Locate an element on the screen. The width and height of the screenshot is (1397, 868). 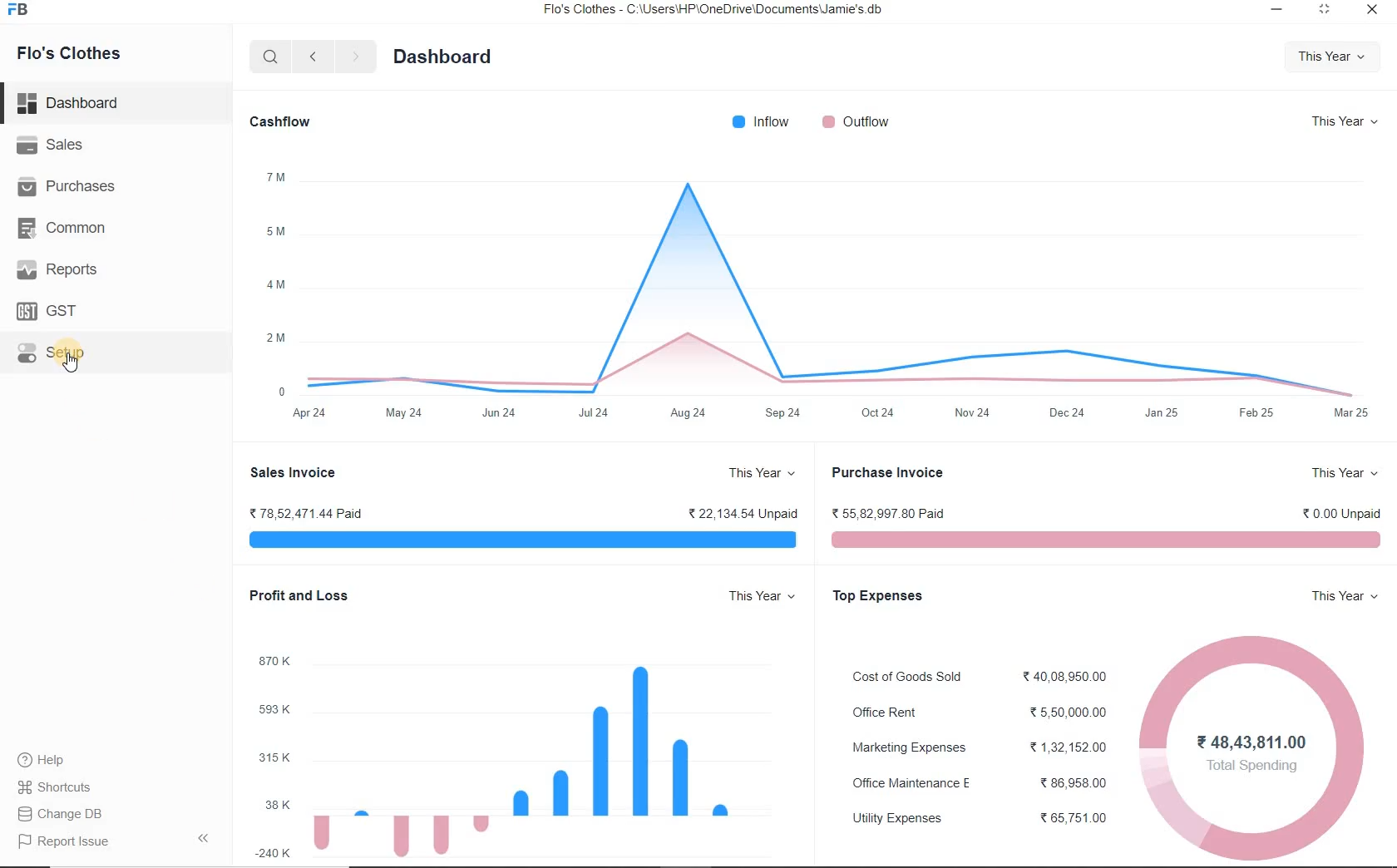
inflow is located at coordinates (761, 120).